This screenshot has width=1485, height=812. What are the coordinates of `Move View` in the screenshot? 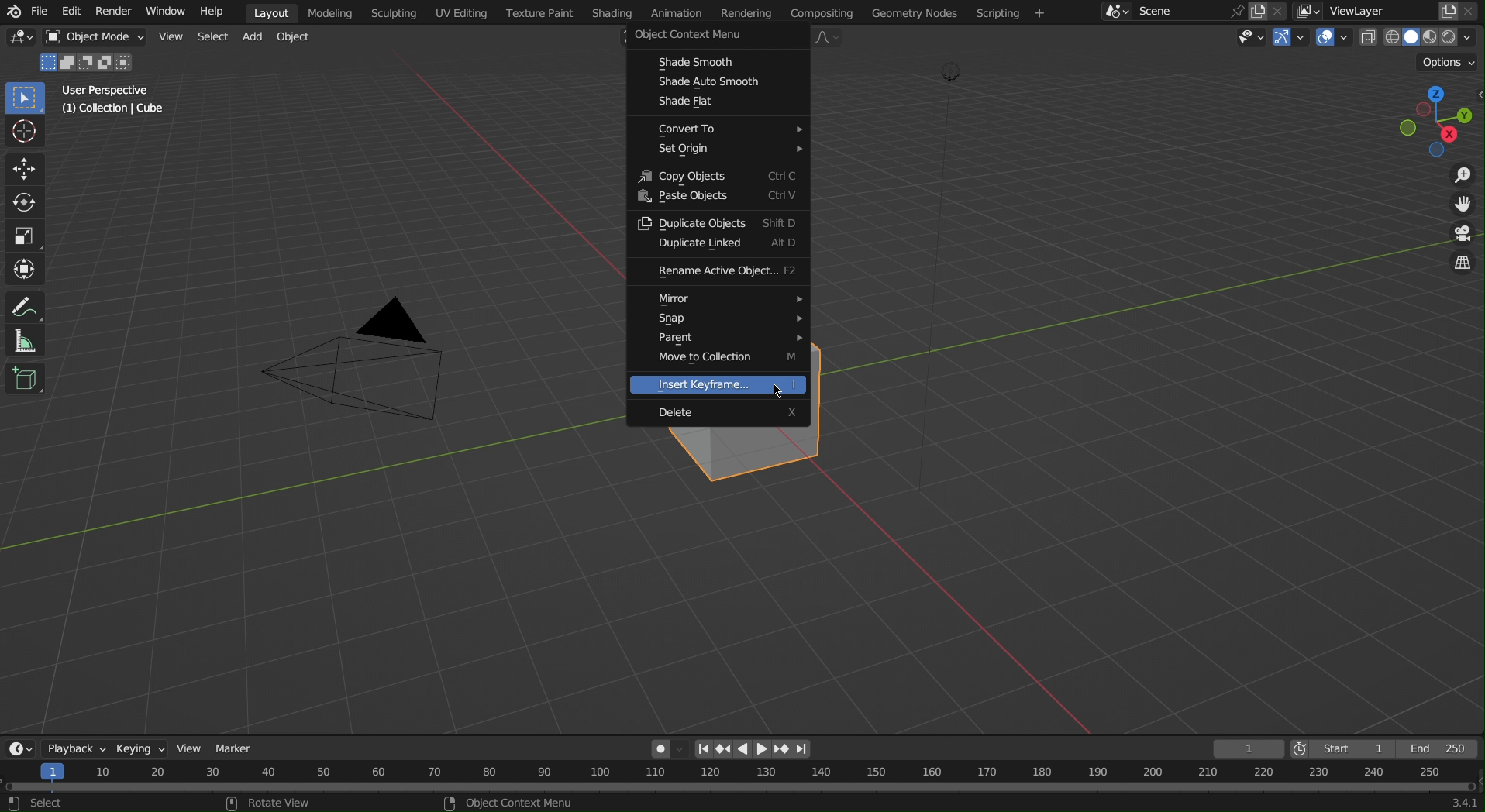 It's located at (1461, 205).